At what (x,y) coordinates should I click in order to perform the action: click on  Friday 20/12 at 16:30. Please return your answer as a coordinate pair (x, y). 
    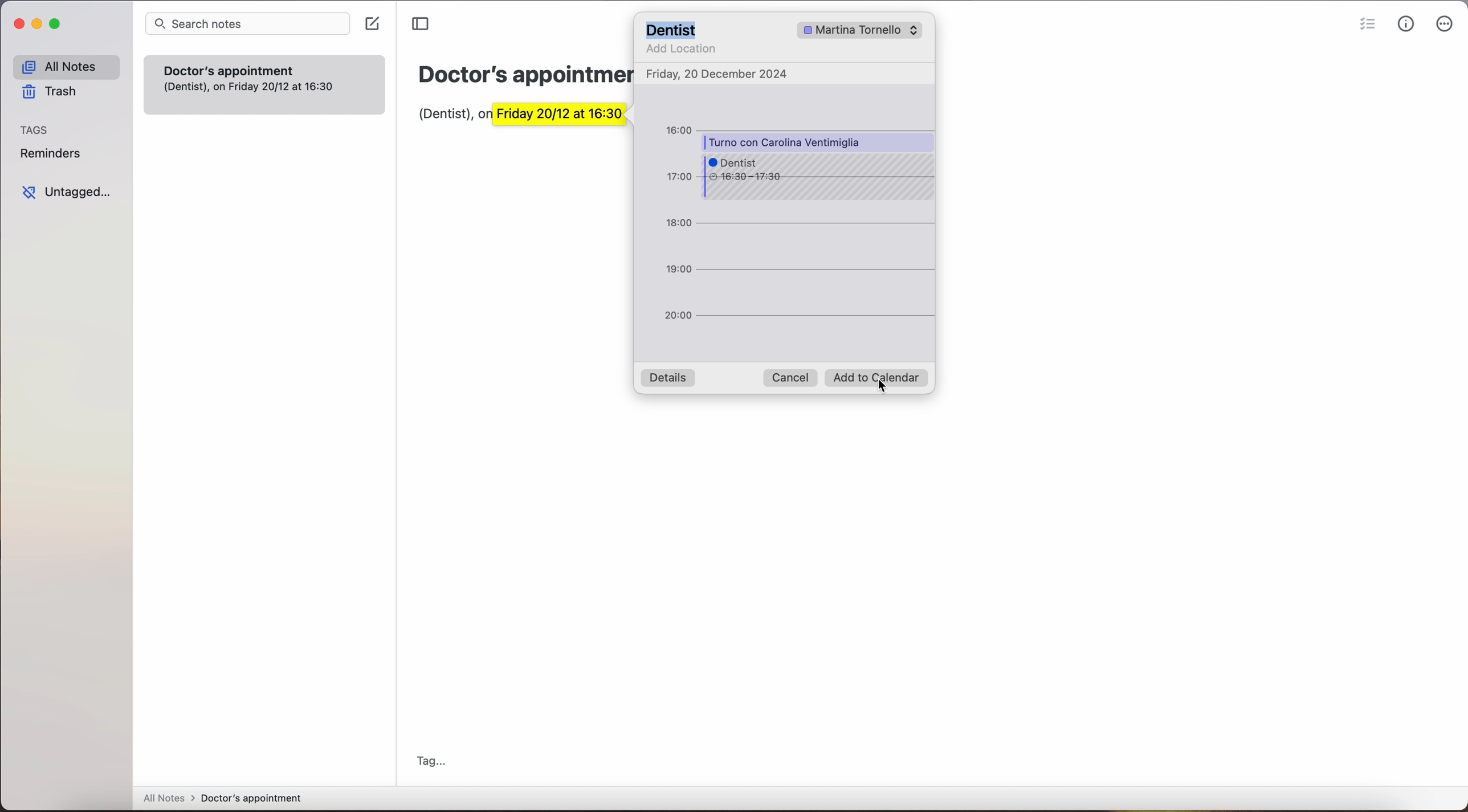
    Looking at the image, I should click on (574, 119).